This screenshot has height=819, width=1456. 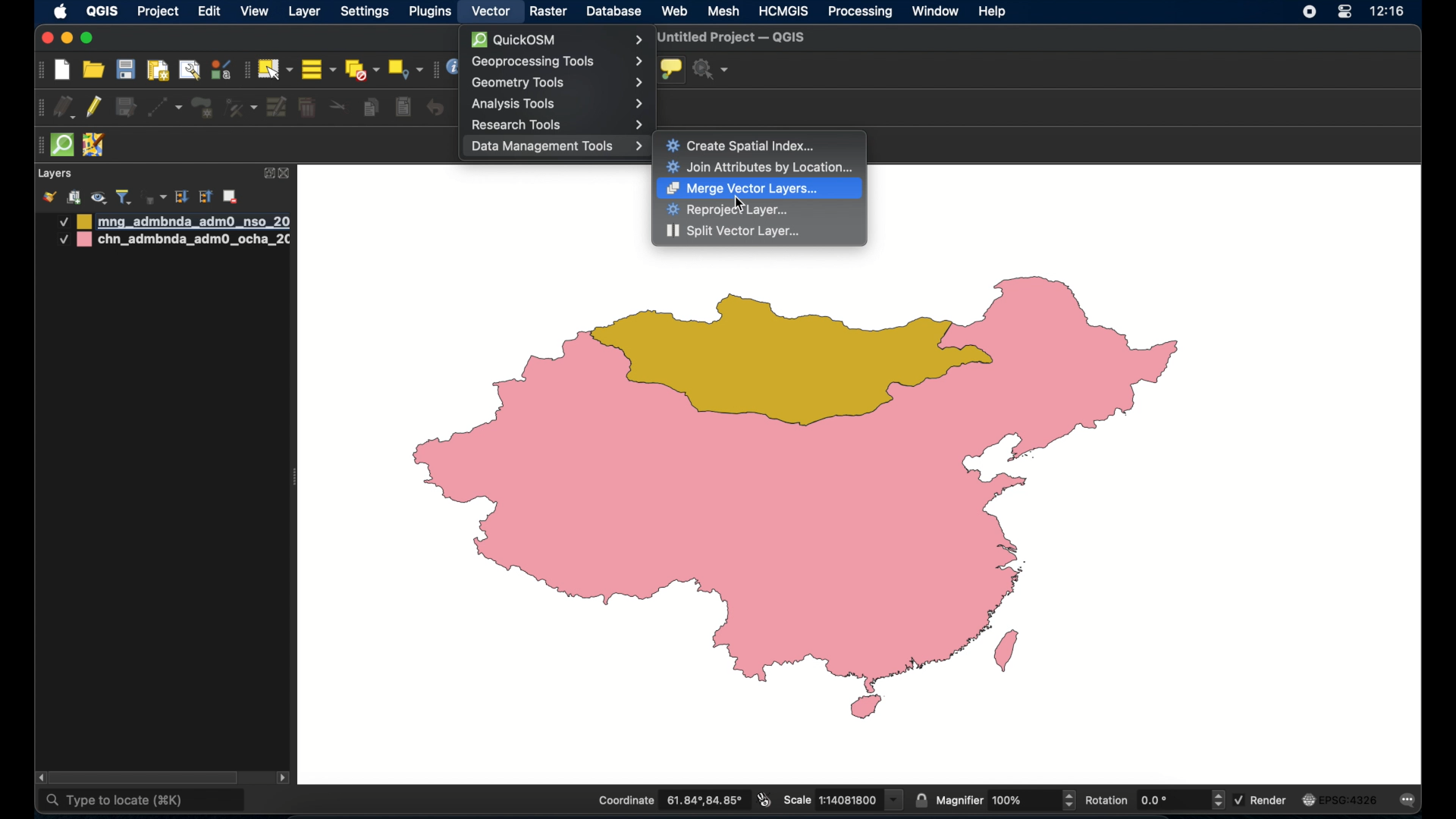 I want to click on open project, so click(x=95, y=71).